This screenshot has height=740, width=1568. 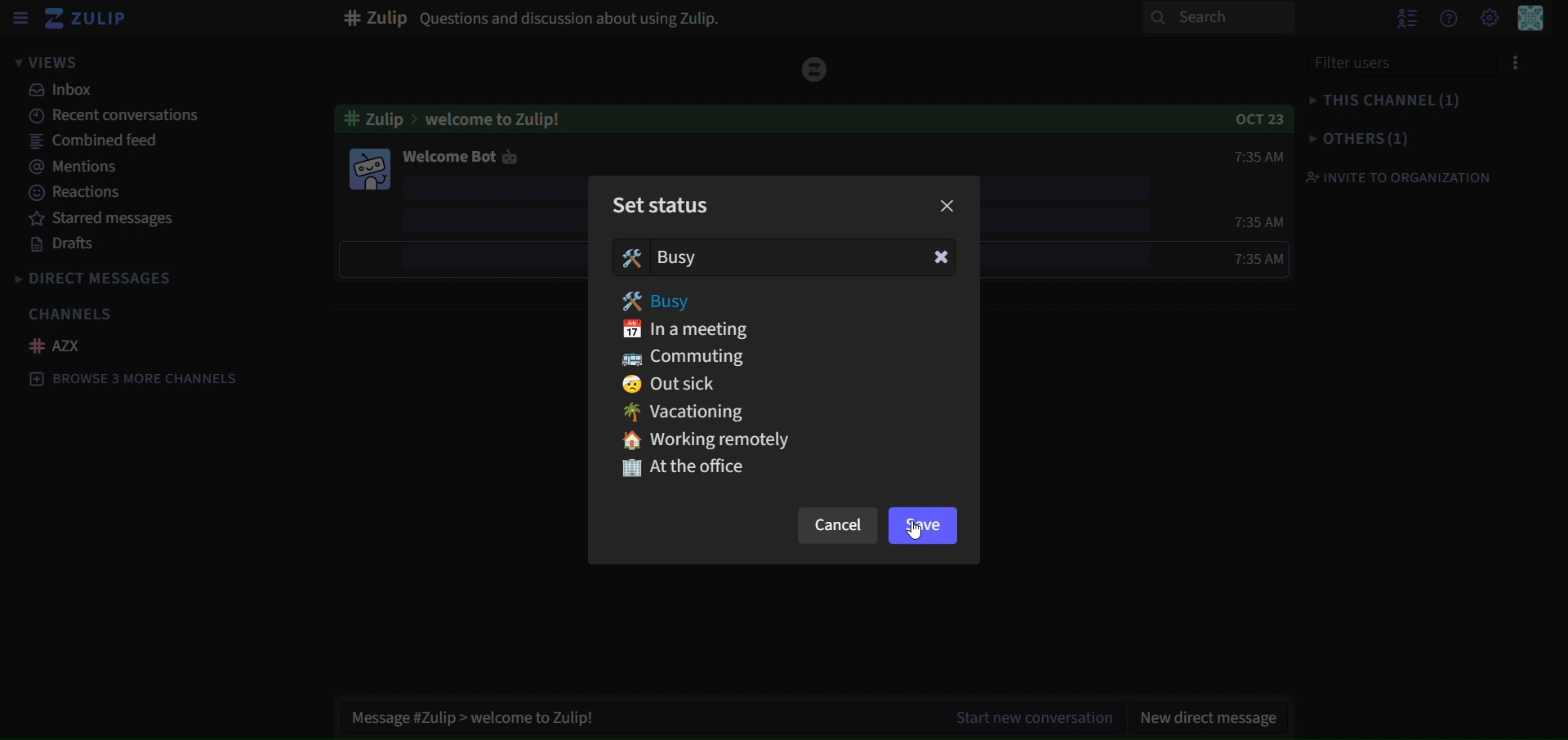 I want to click on AZX, so click(x=58, y=345).